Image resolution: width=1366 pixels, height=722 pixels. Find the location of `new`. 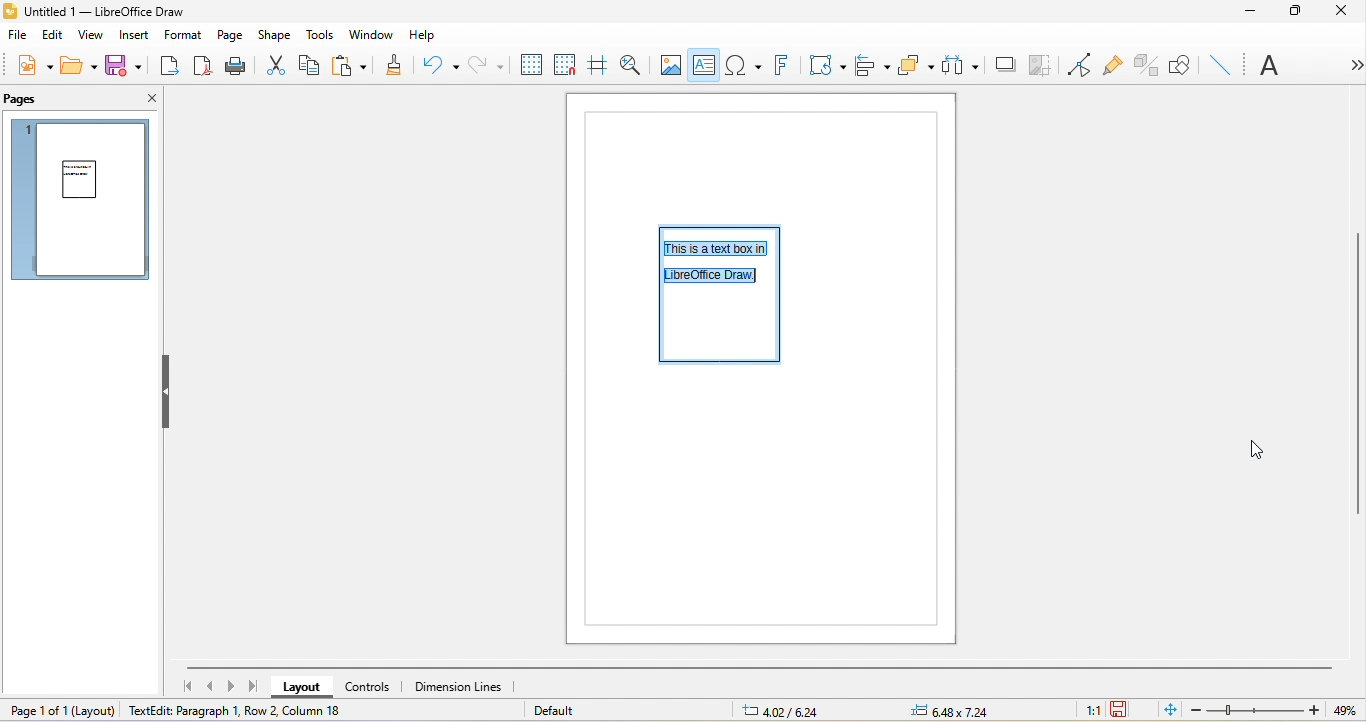

new is located at coordinates (29, 65).